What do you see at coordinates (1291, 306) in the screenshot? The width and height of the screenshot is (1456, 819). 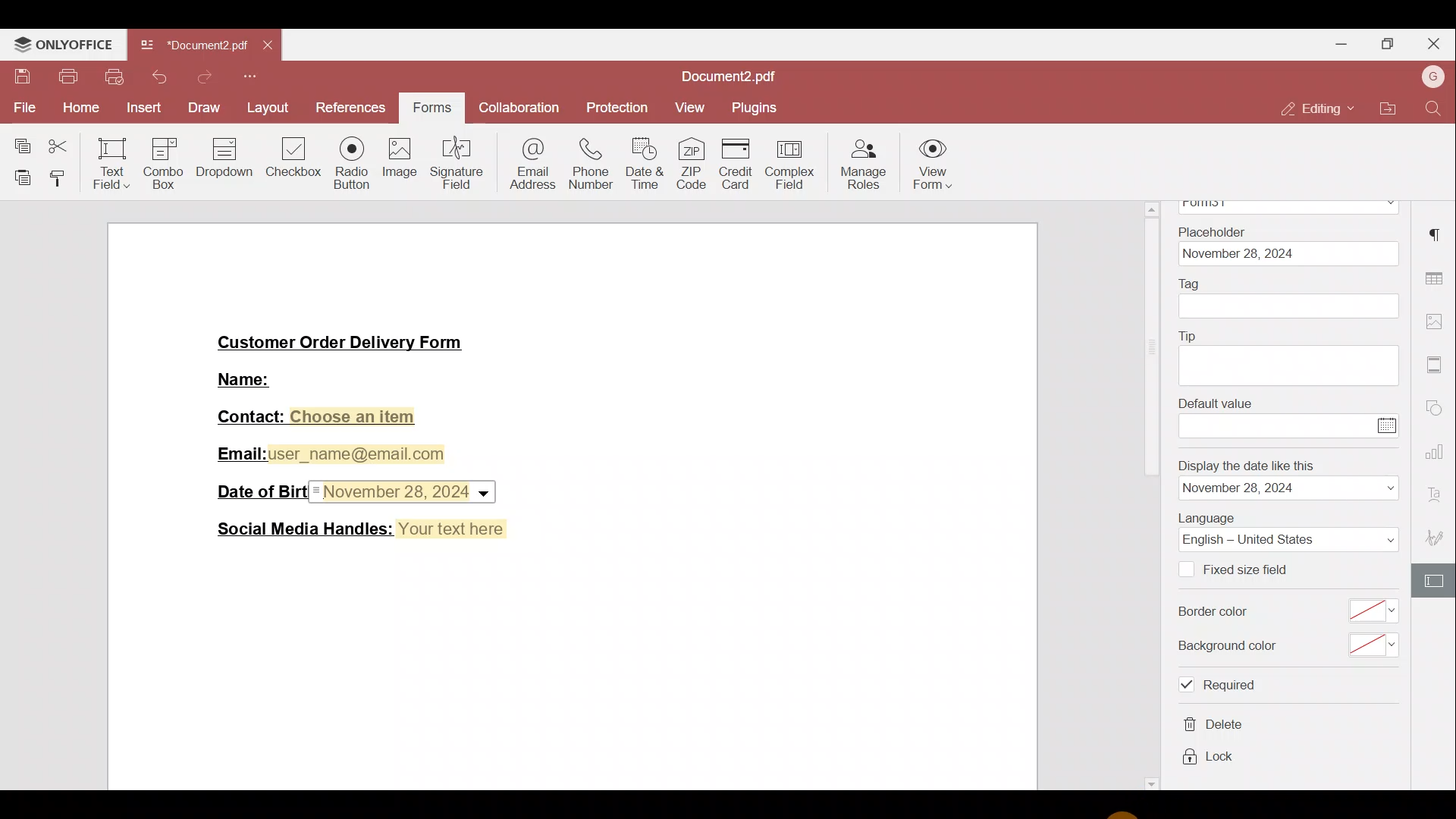 I see `tag` at bounding box center [1291, 306].